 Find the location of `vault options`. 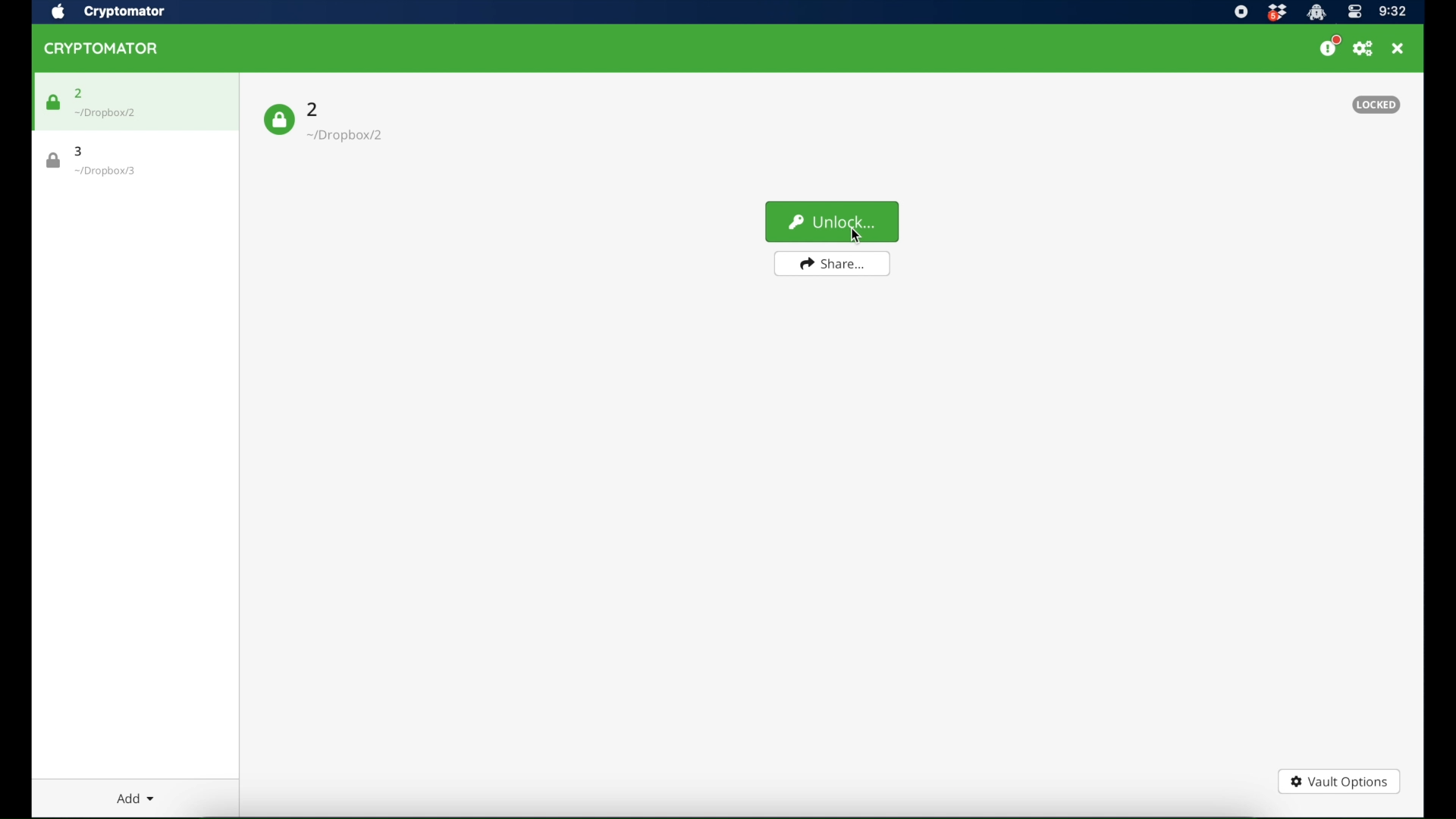

vault options is located at coordinates (1339, 780).